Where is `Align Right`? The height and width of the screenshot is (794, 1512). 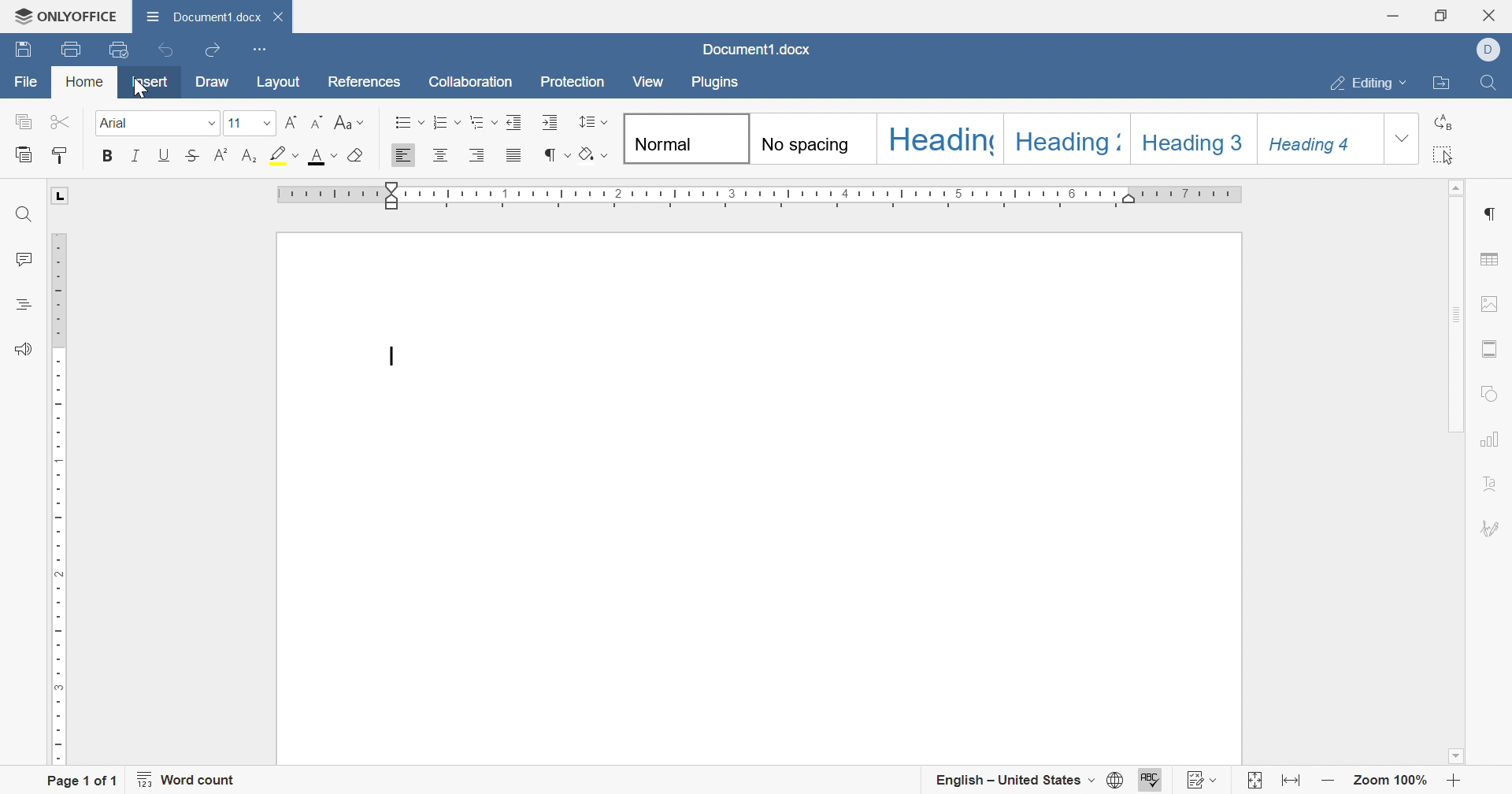 Align Right is located at coordinates (479, 158).